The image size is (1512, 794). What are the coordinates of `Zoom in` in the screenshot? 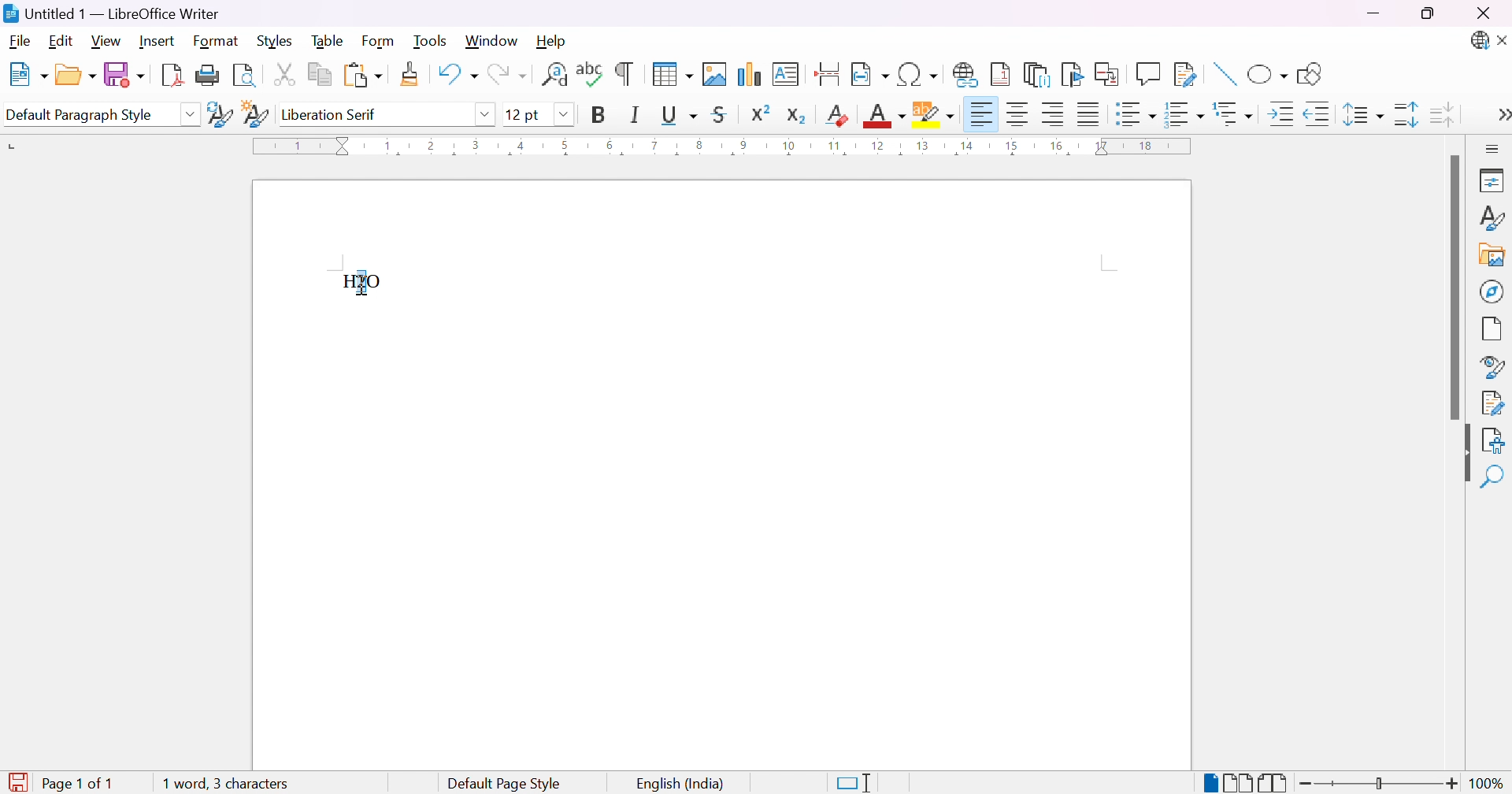 It's located at (1451, 785).